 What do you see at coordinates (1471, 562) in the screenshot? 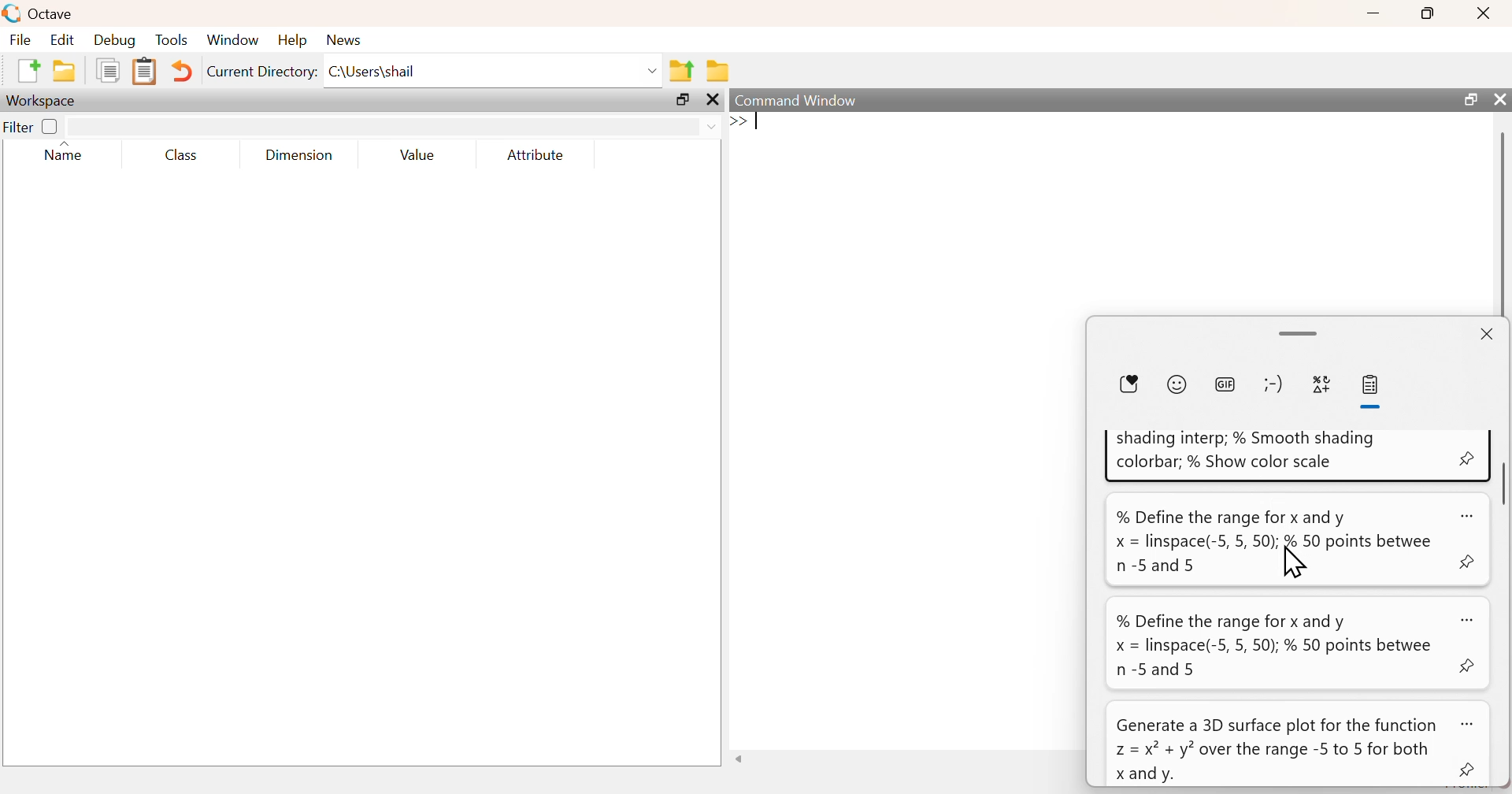
I see `pin` at bounding box center [1471, 562].